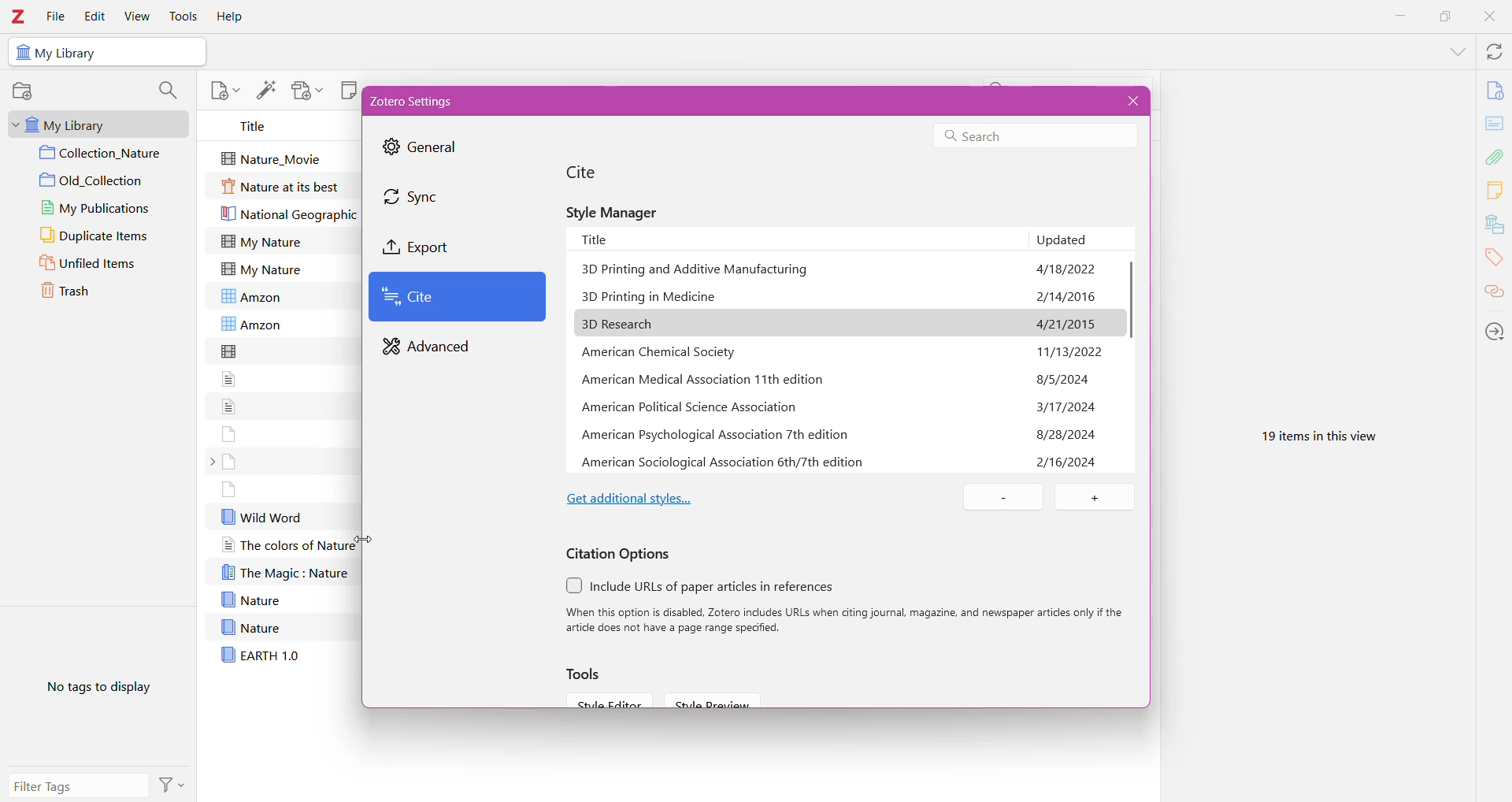 This screenshot has width=1512, height=802. Describe the element at coordinates (56, 16) in the screenshot. I see `File` at that location.